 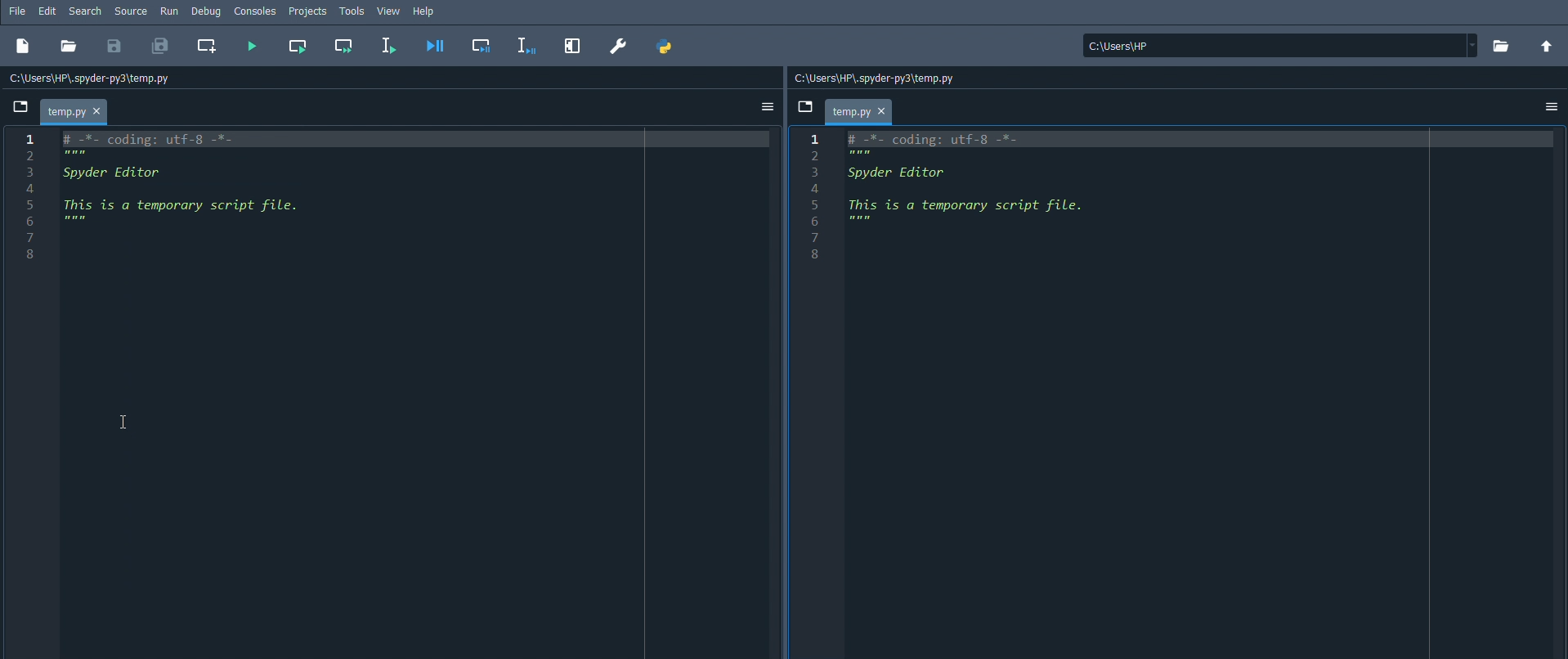 What do you see at coordinates (18, 11) in the screenshot?
I see `File` at bounding box center [18, 11].